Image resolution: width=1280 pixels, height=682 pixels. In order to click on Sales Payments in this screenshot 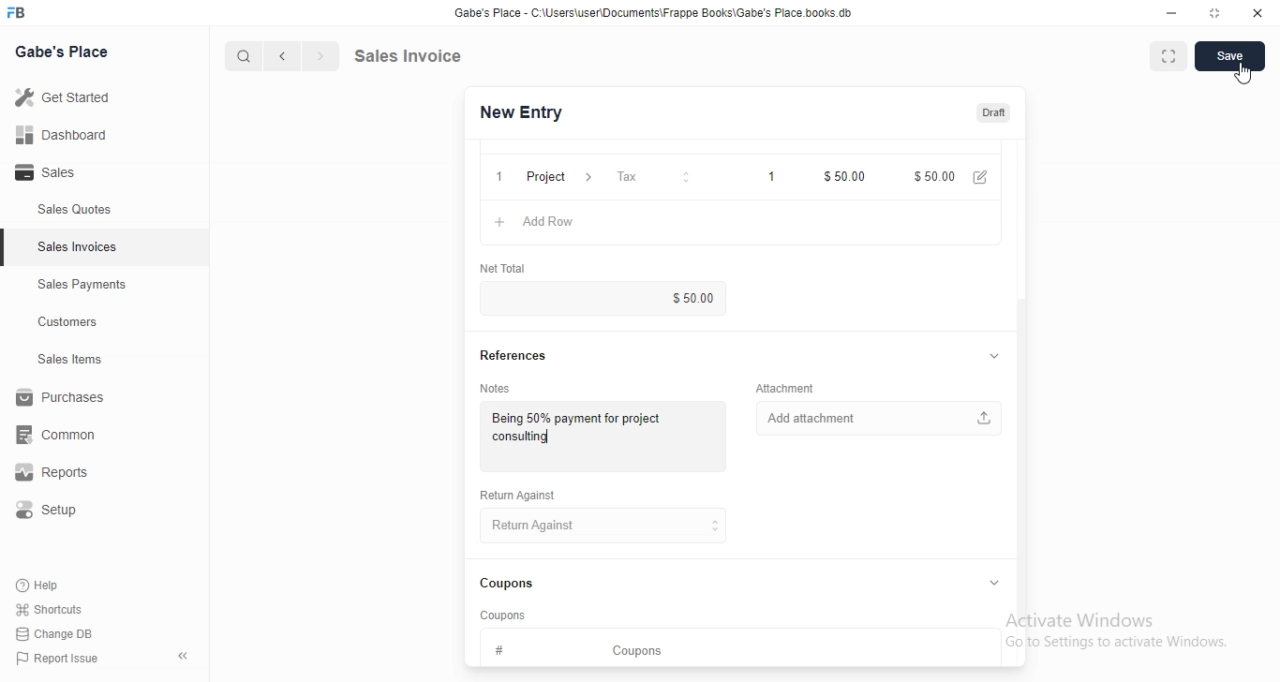, I will do `click(77, 285)`.